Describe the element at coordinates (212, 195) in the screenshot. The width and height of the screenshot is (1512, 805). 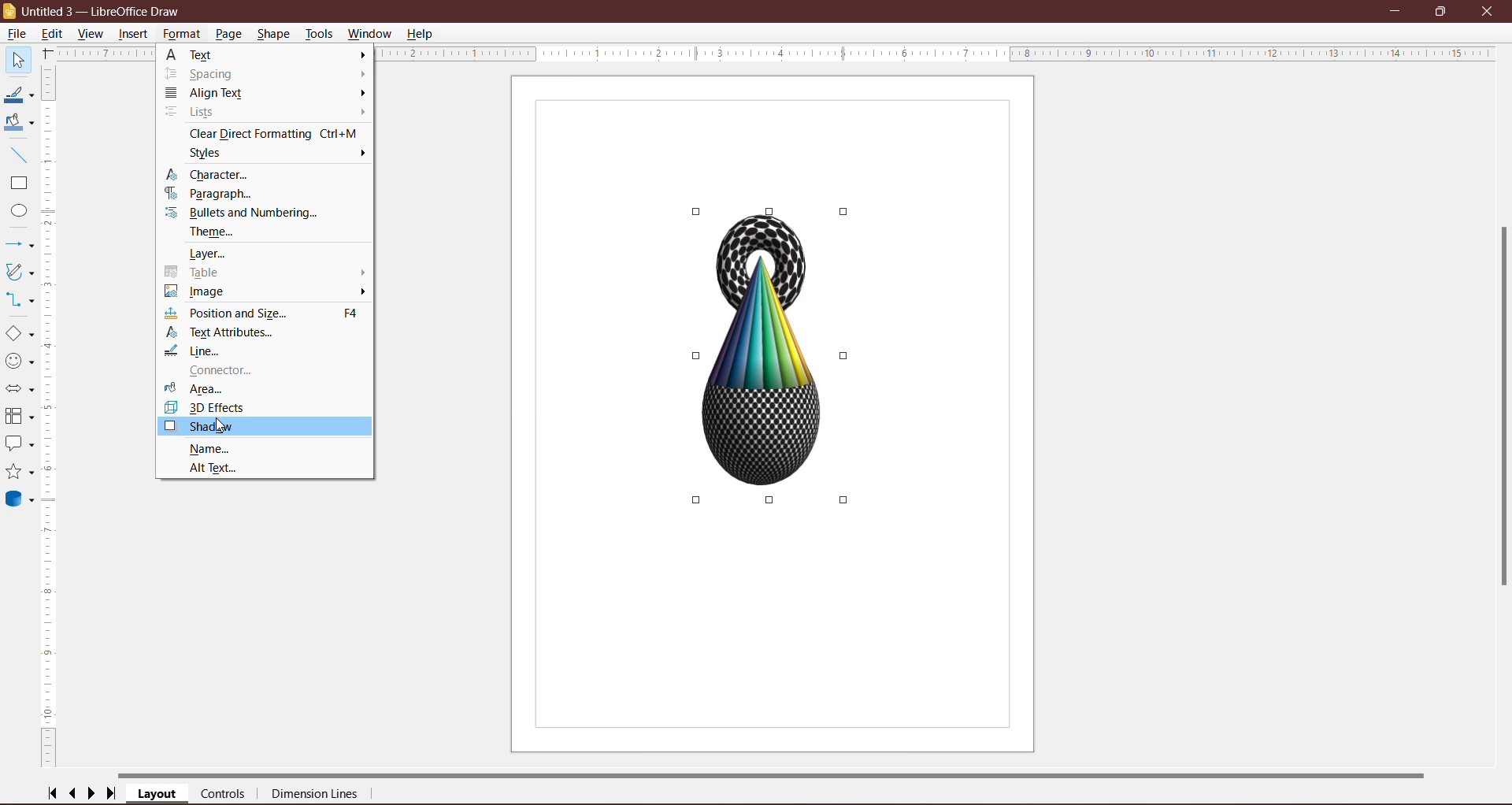
I see `Paragraph` at that location.